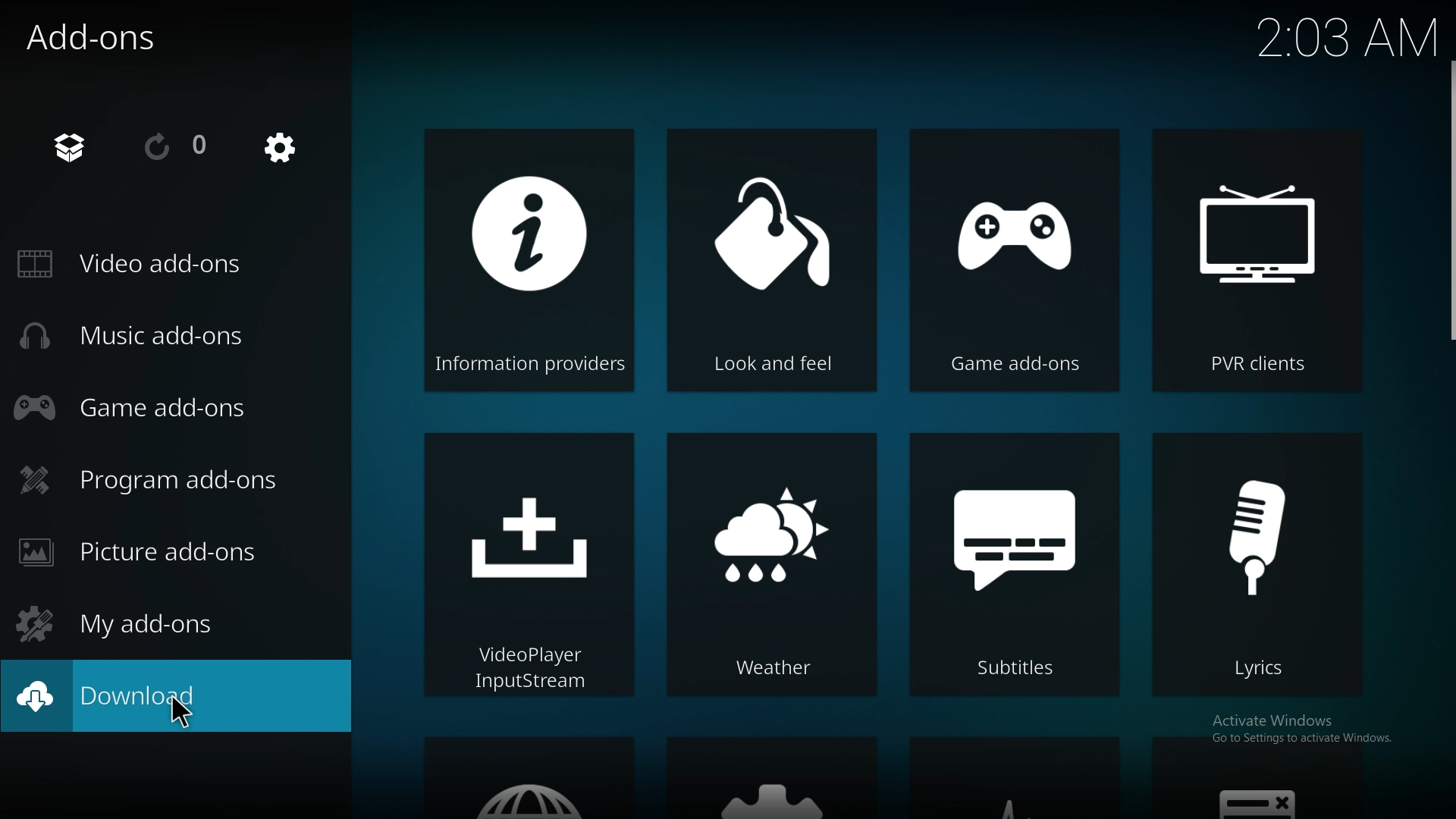  I want to click on game add ons, so click(1015, 256).